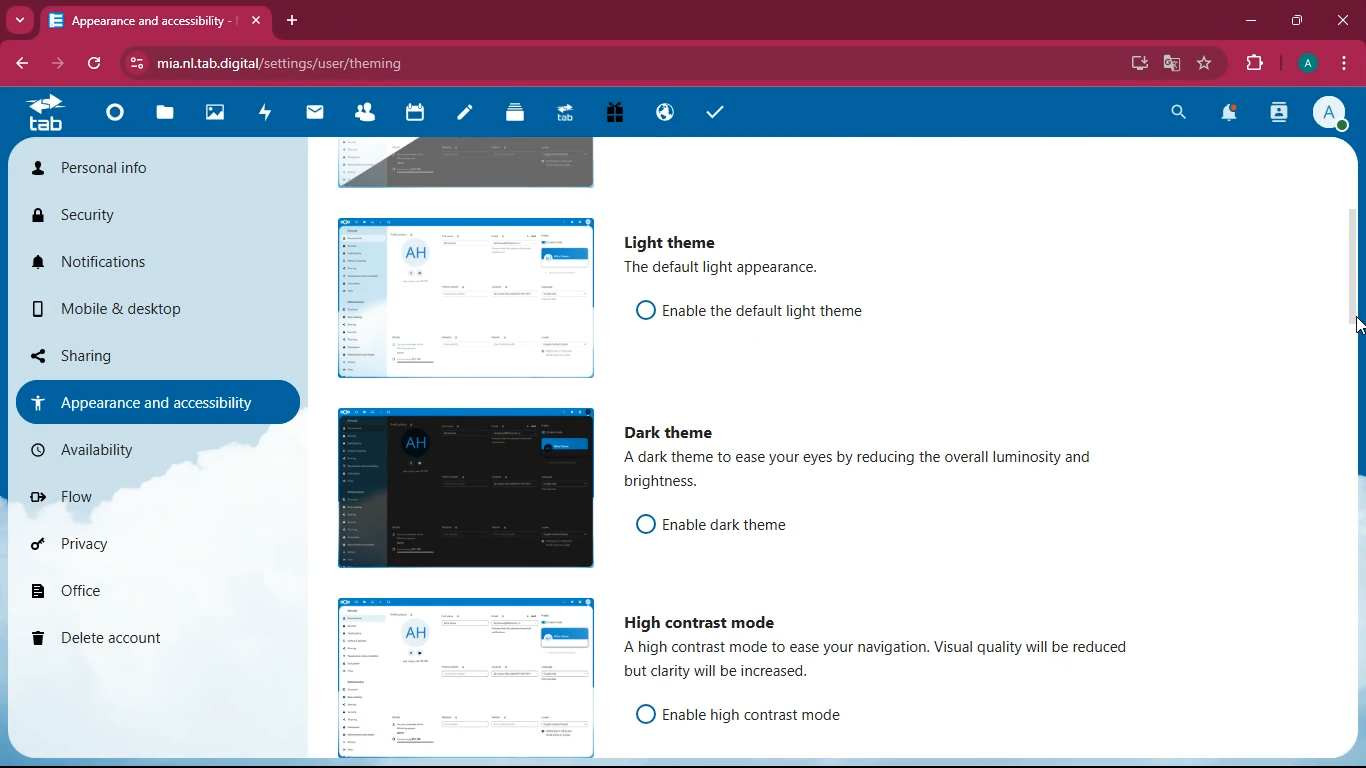 The image size is (1366, 768). I want to click on tab, so click(561, 112).